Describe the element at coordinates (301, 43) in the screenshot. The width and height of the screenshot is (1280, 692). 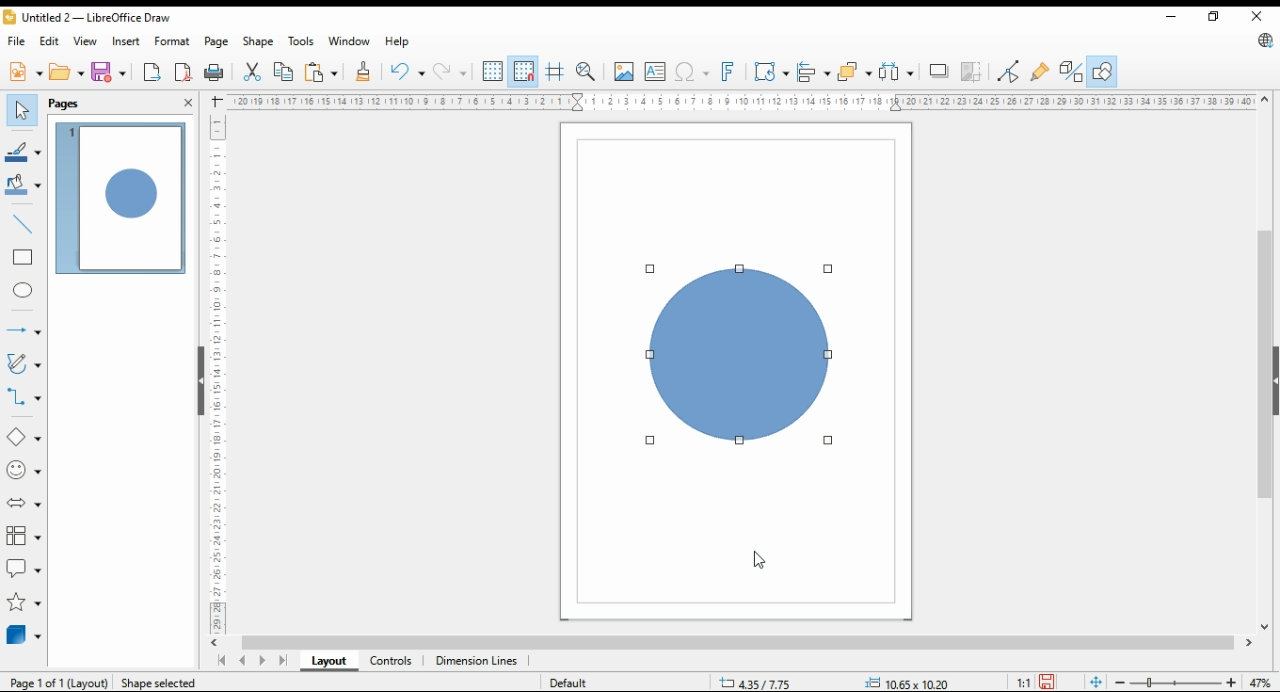
I see `tools` at that location.